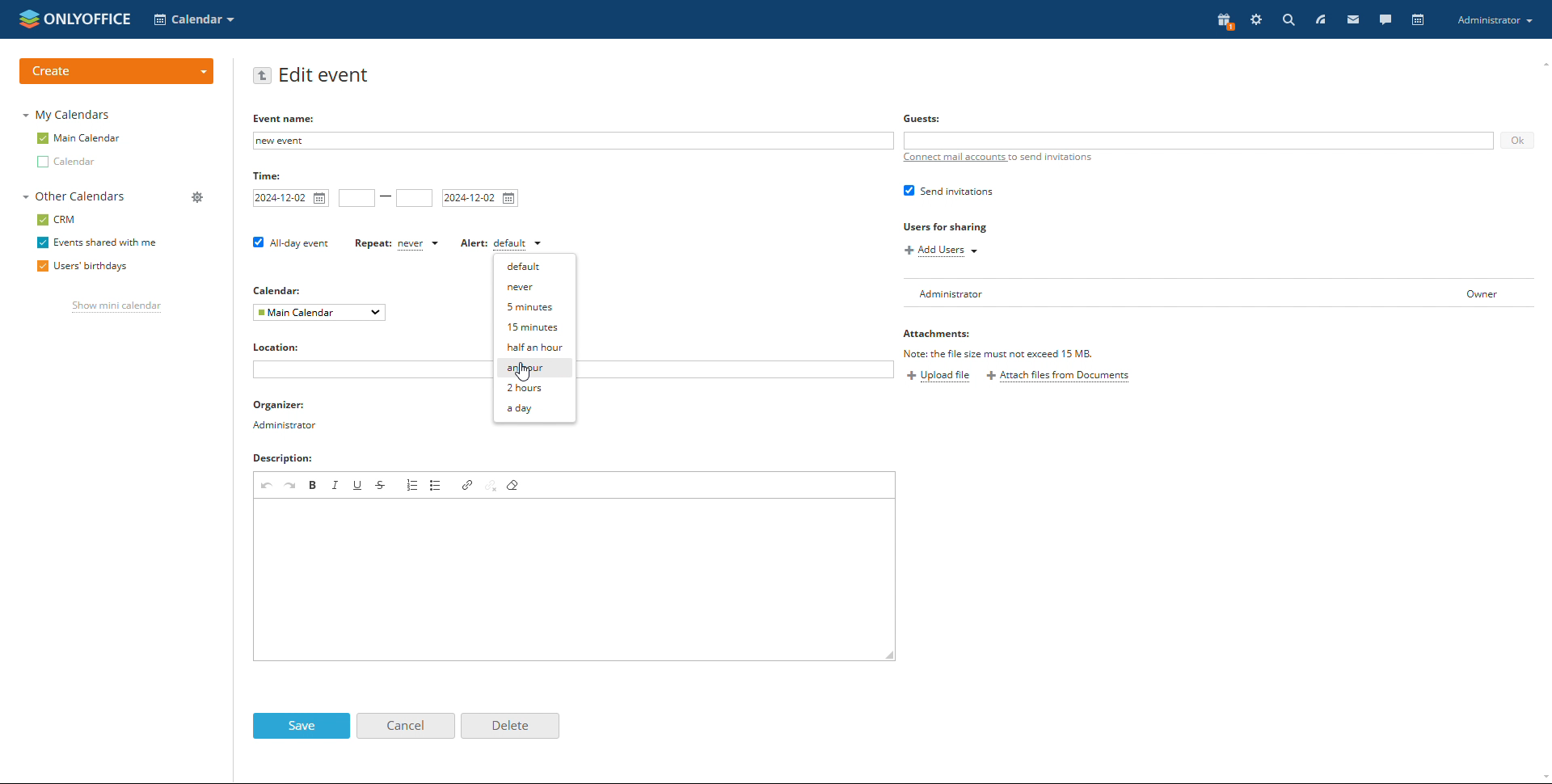  Describe the element at coordinates (536, 266) in the screenshot. I see `default` at that location.